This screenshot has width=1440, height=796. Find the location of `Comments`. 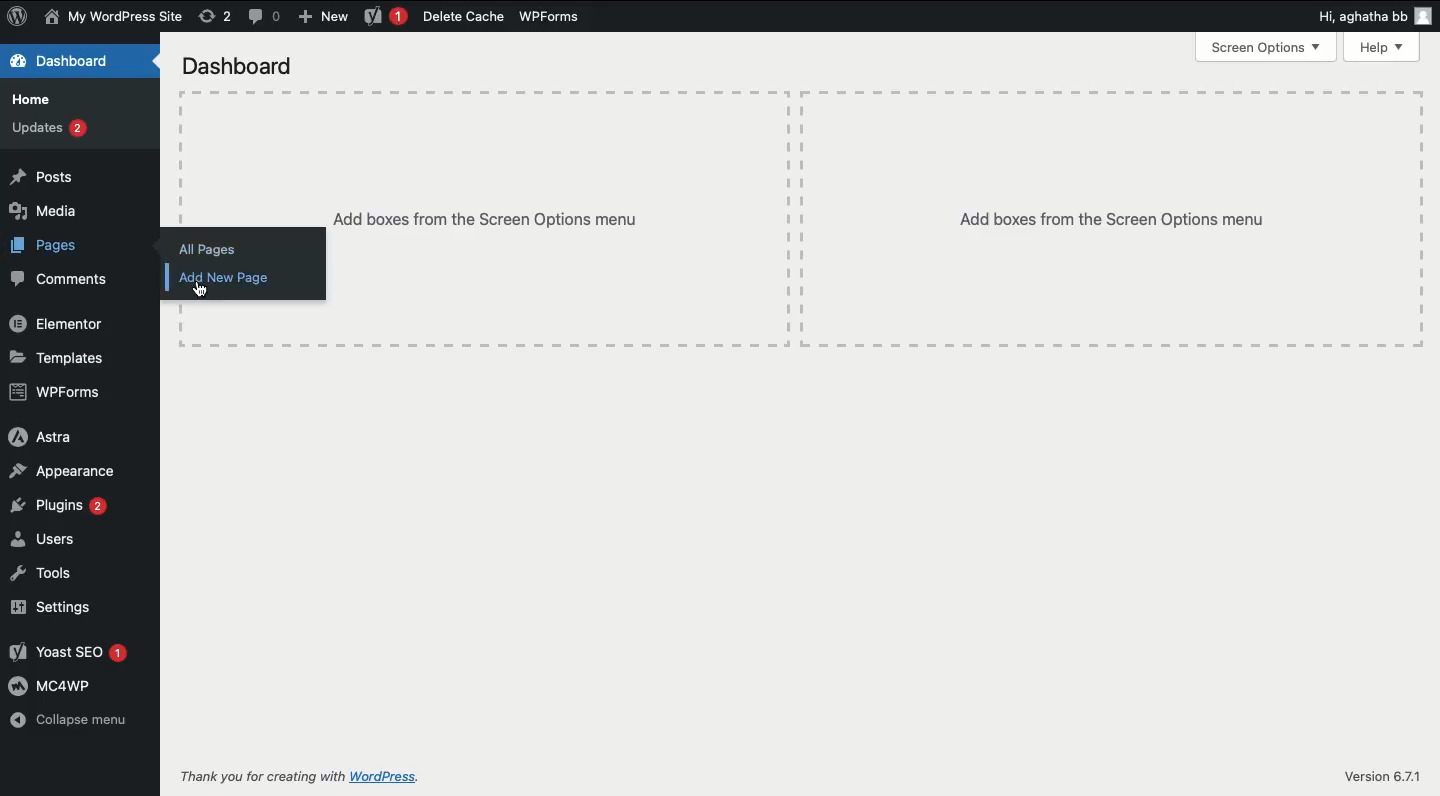

Comments is located at coordinates (264, 17).